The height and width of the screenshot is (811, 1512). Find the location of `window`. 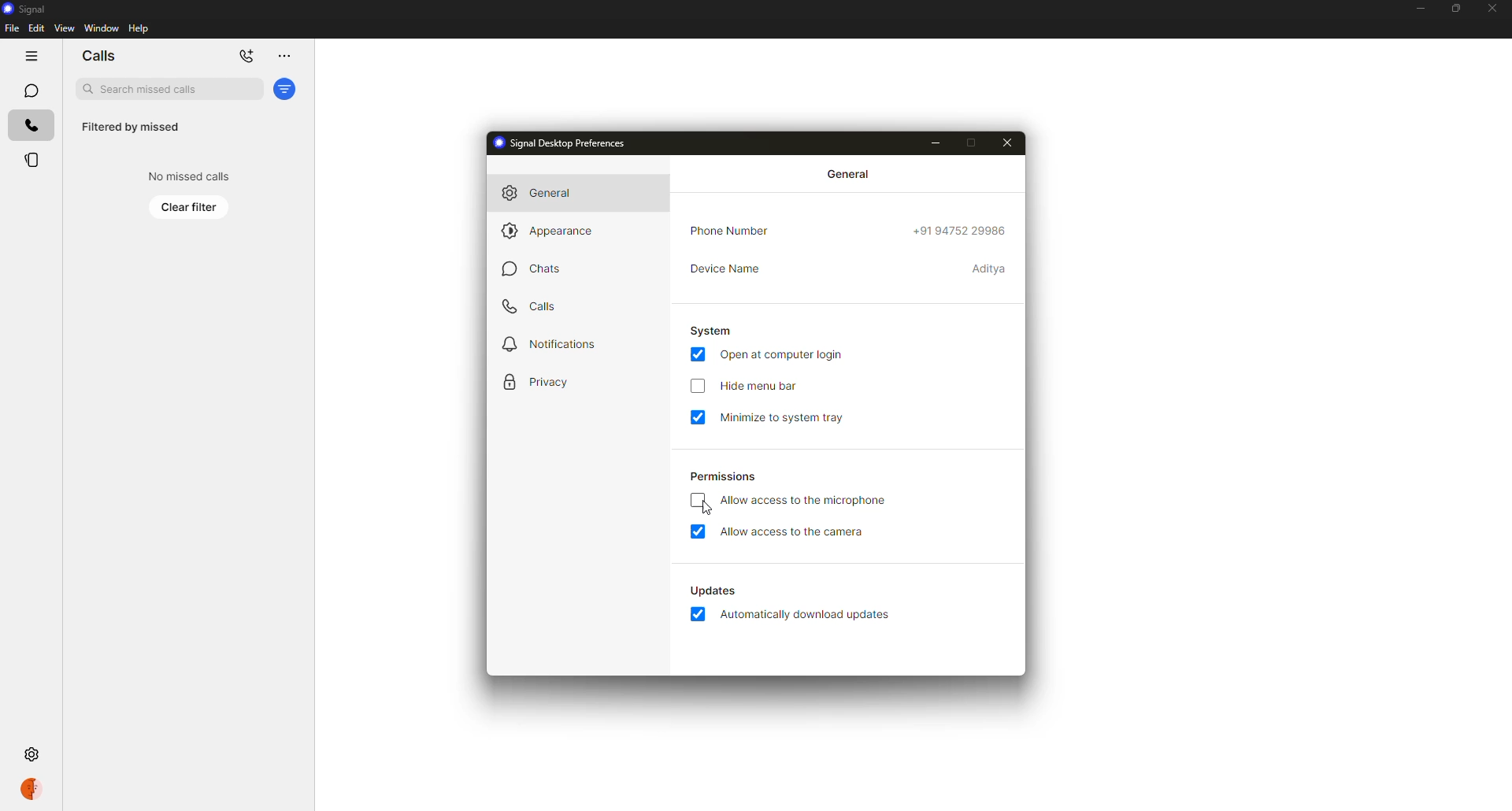

window is located at coordinates (102, 28).